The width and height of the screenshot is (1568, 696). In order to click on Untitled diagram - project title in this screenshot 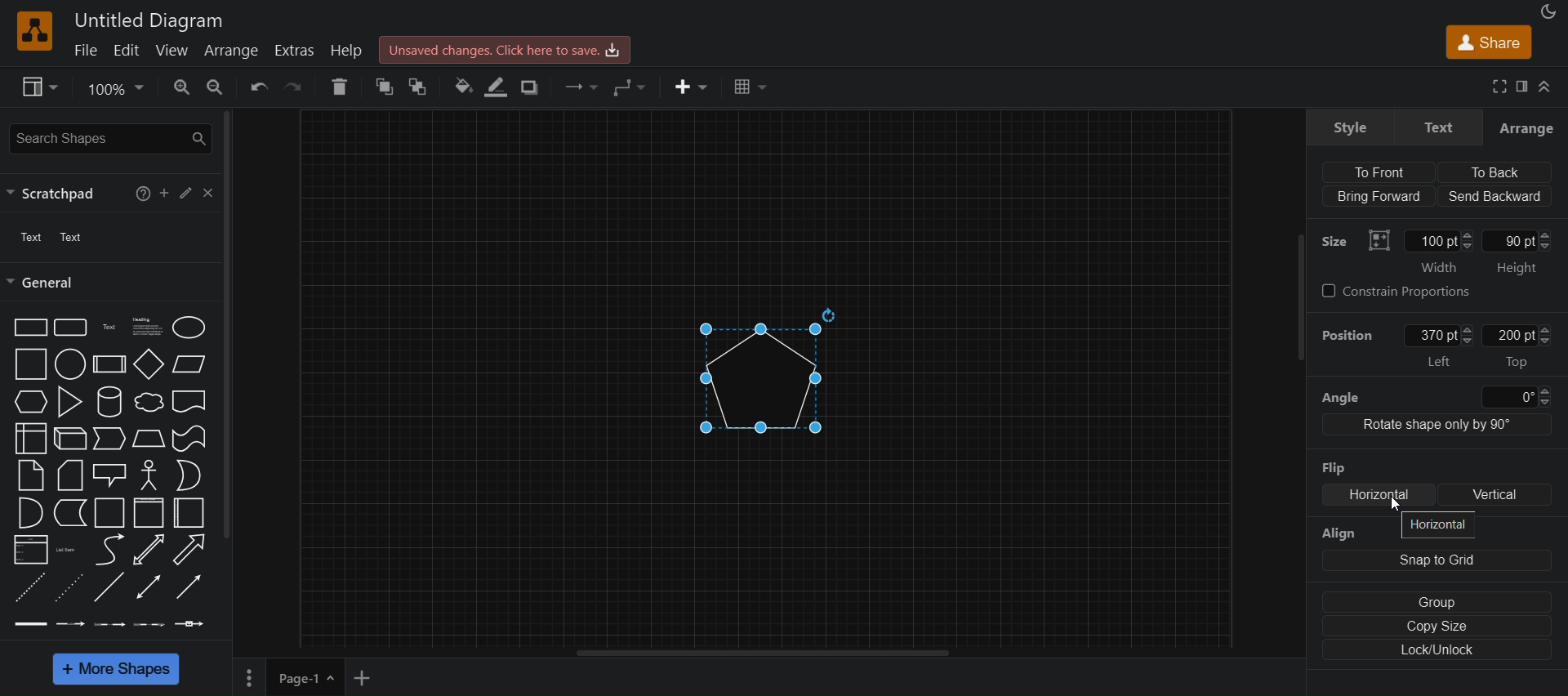, I will do `click(148, 21)`.